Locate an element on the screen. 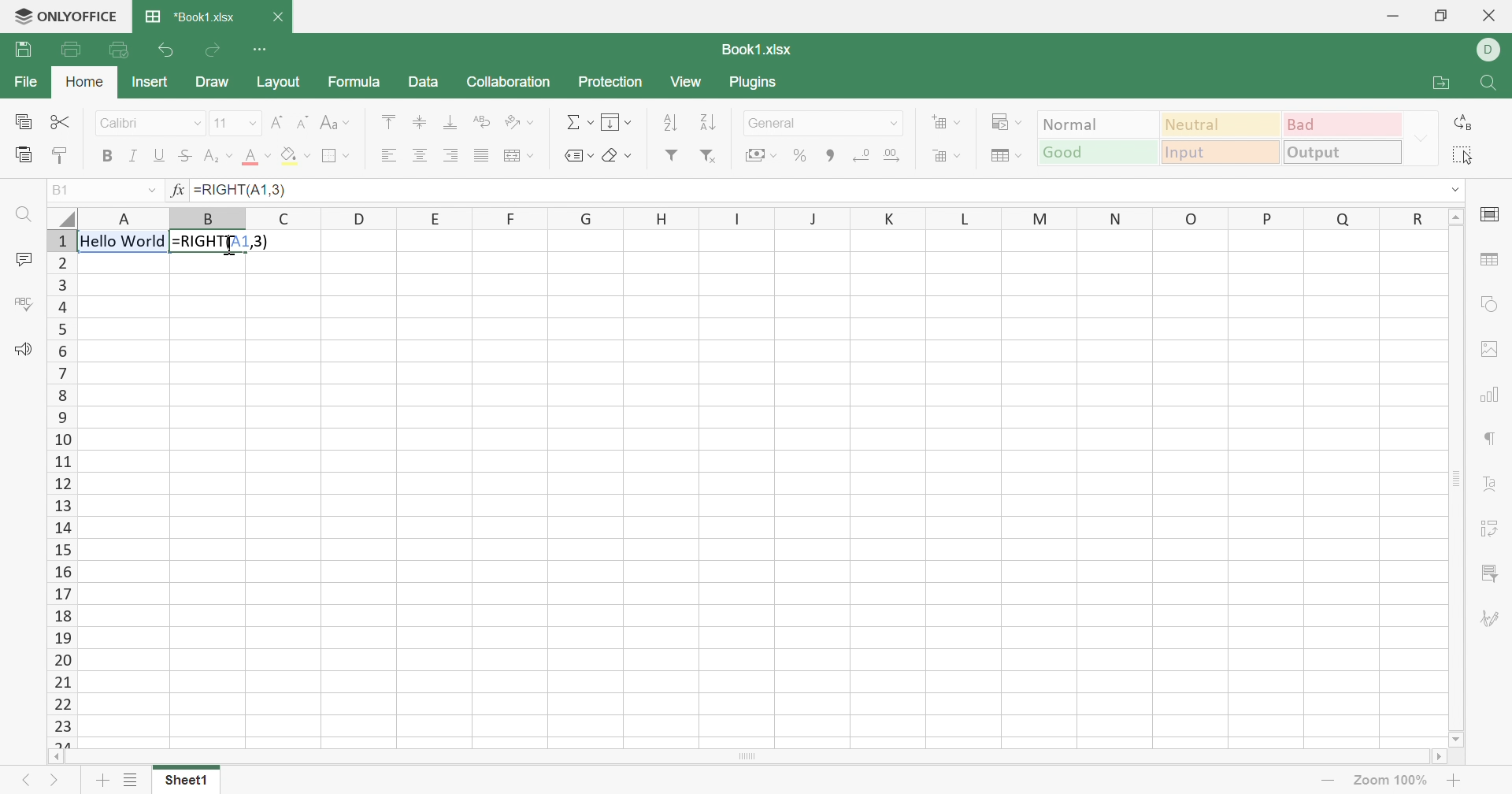  Pivot table settings is located at coordinates (1488, 530).